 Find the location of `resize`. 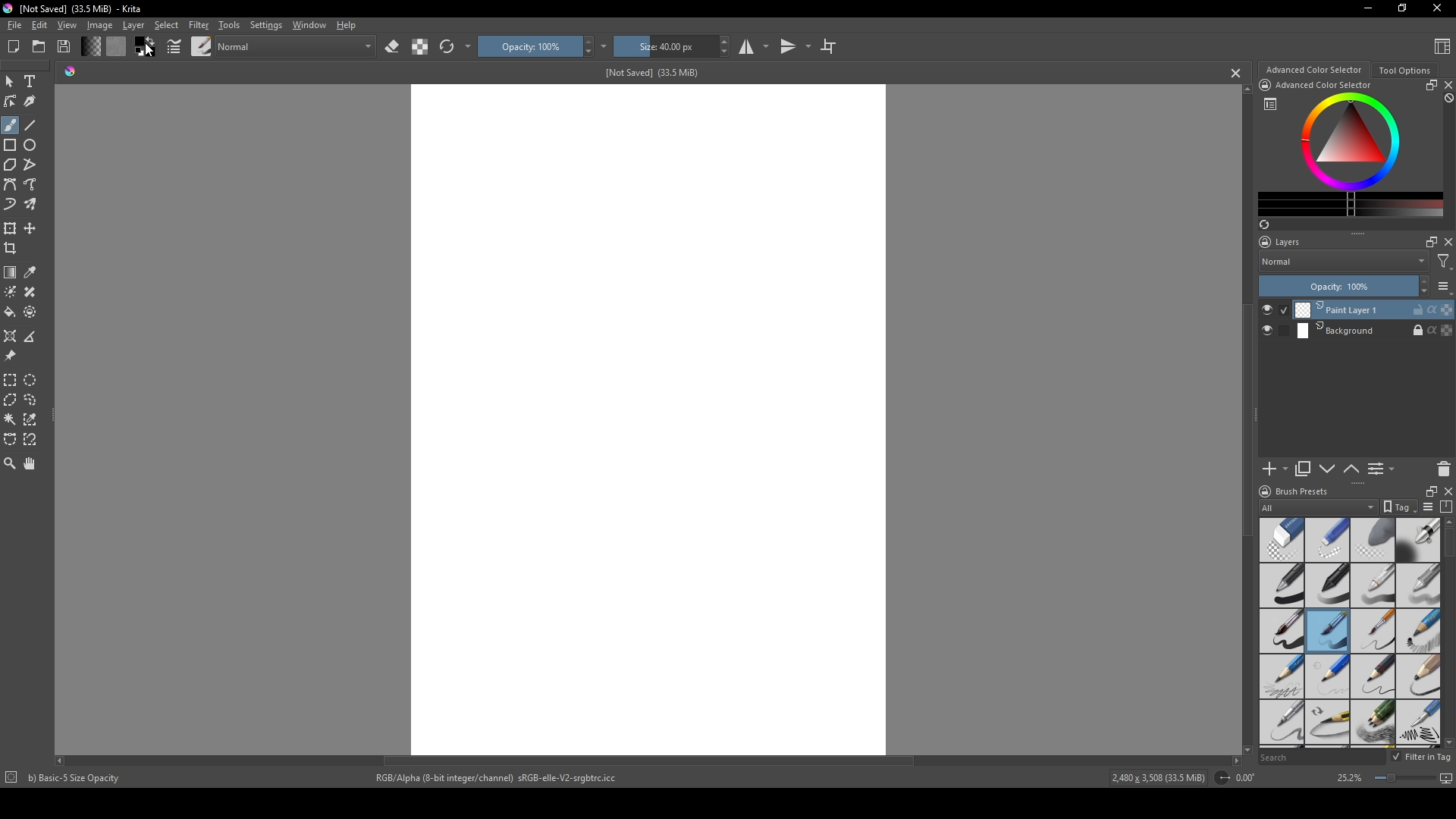

resize is located at coordinates (1401, 9).